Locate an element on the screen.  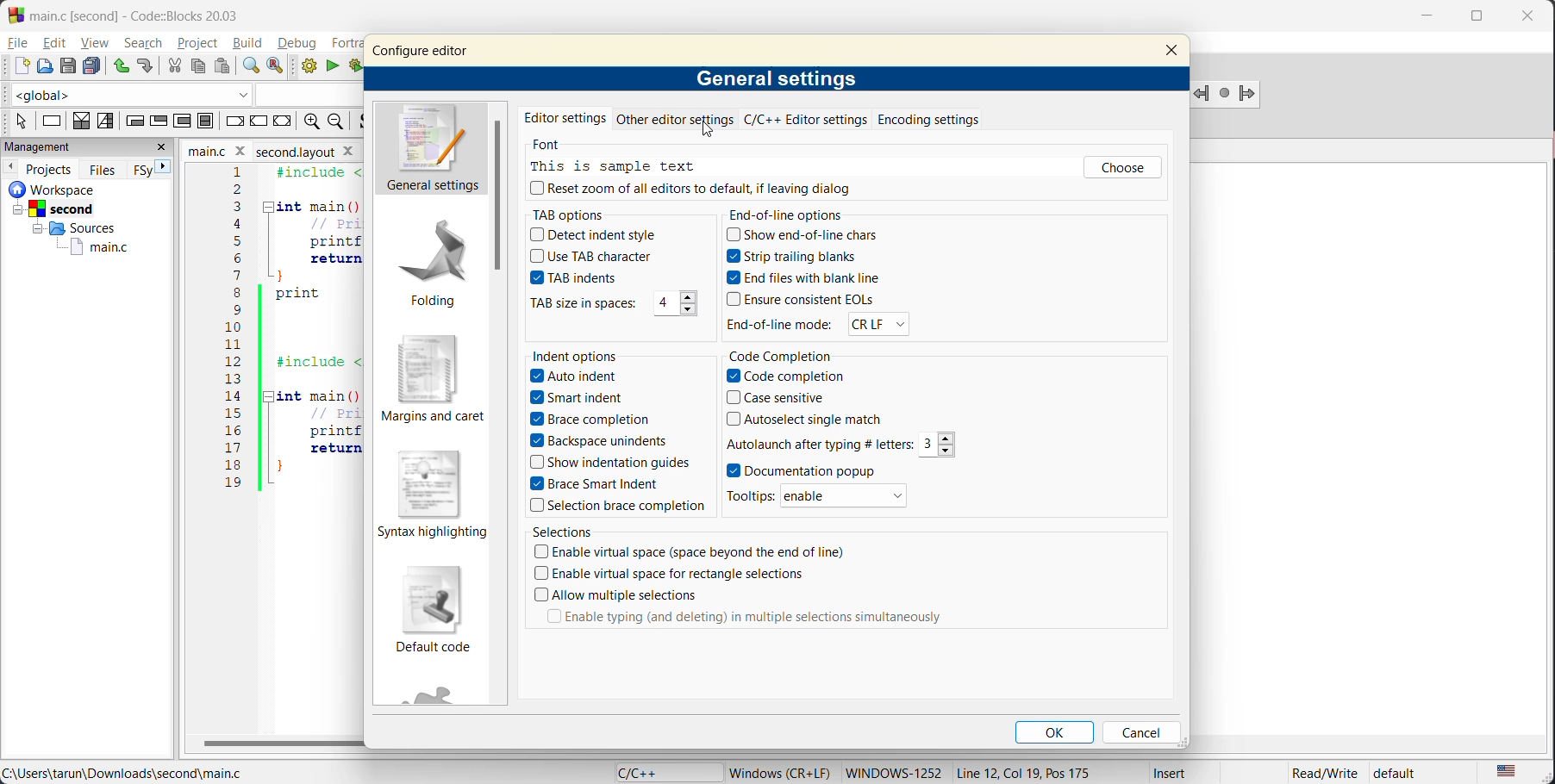
text language is located at coordinates (1509, 770).